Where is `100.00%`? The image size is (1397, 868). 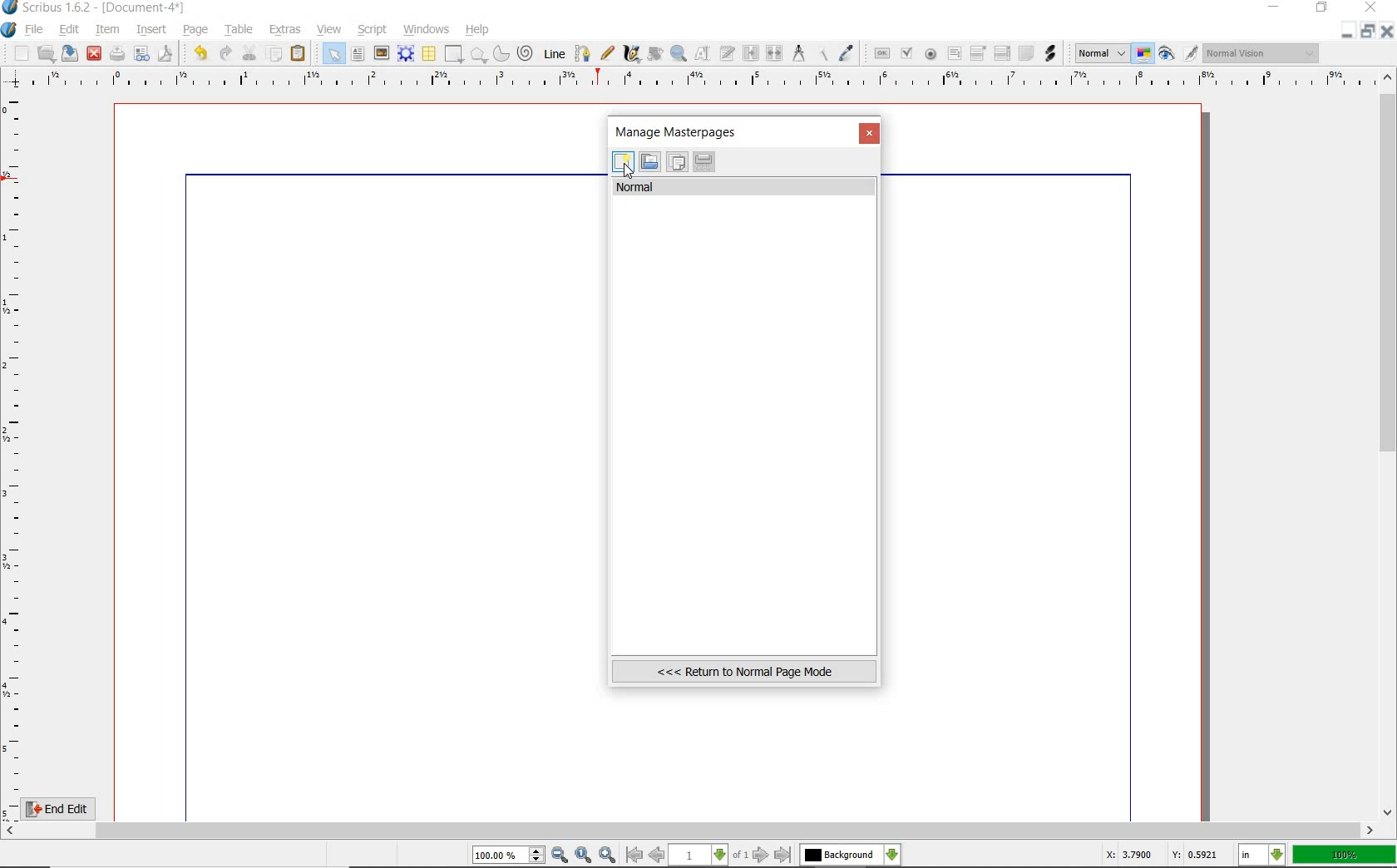 100.00% is located at coordinates (510, 856).